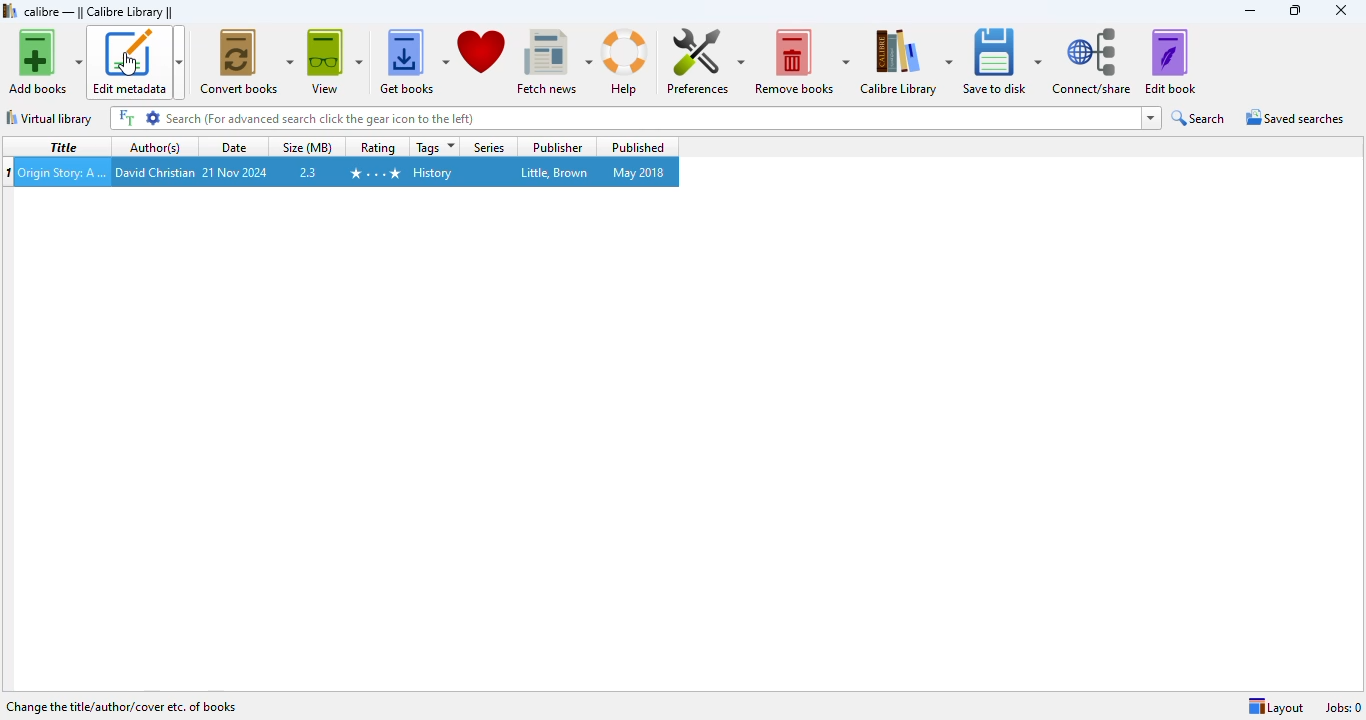 The image size is (1366, 720). Describe the element at coordinates (306, 147) in the screenshot. I see `size (MB)` at that location.